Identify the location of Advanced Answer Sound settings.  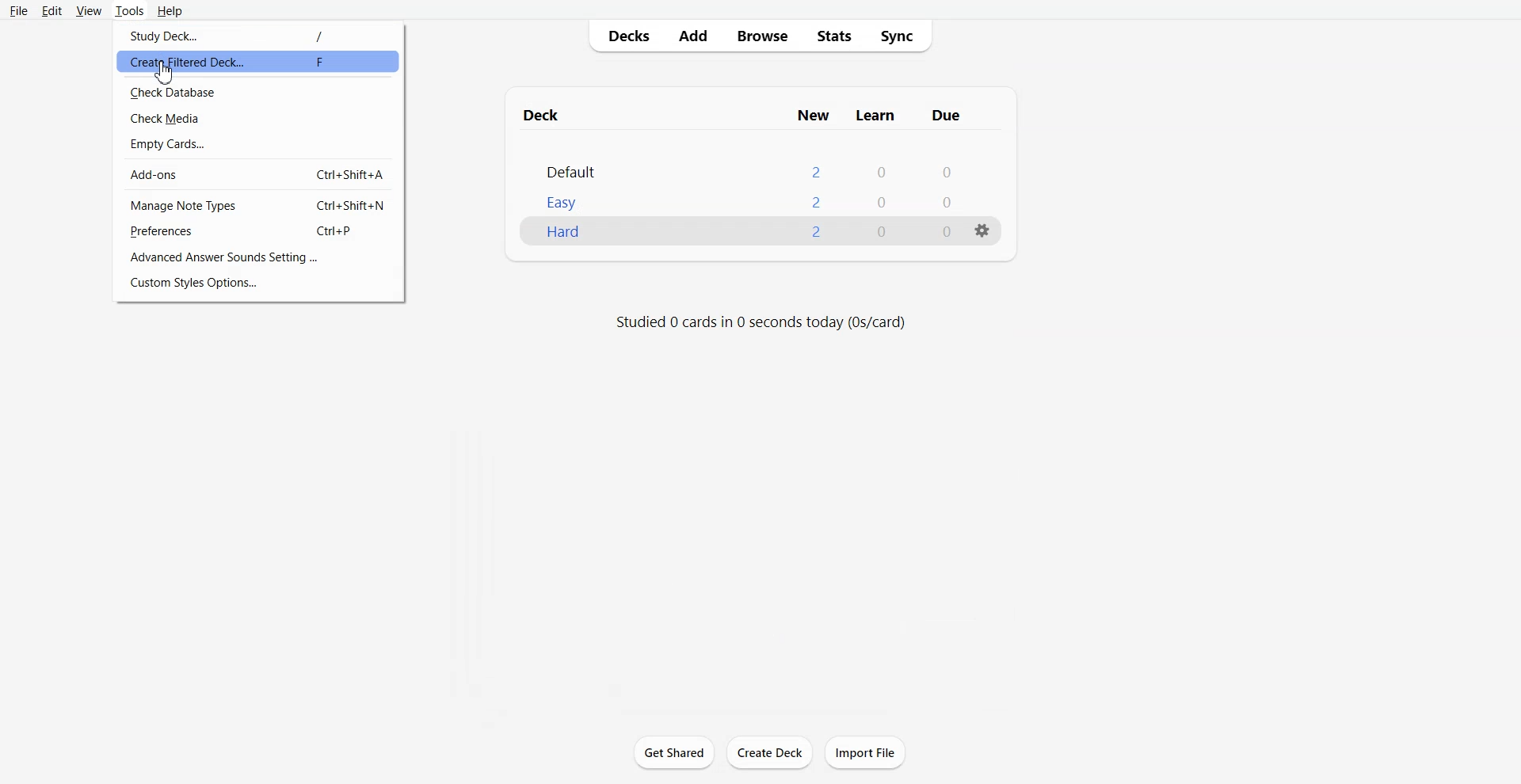
(259, 257).